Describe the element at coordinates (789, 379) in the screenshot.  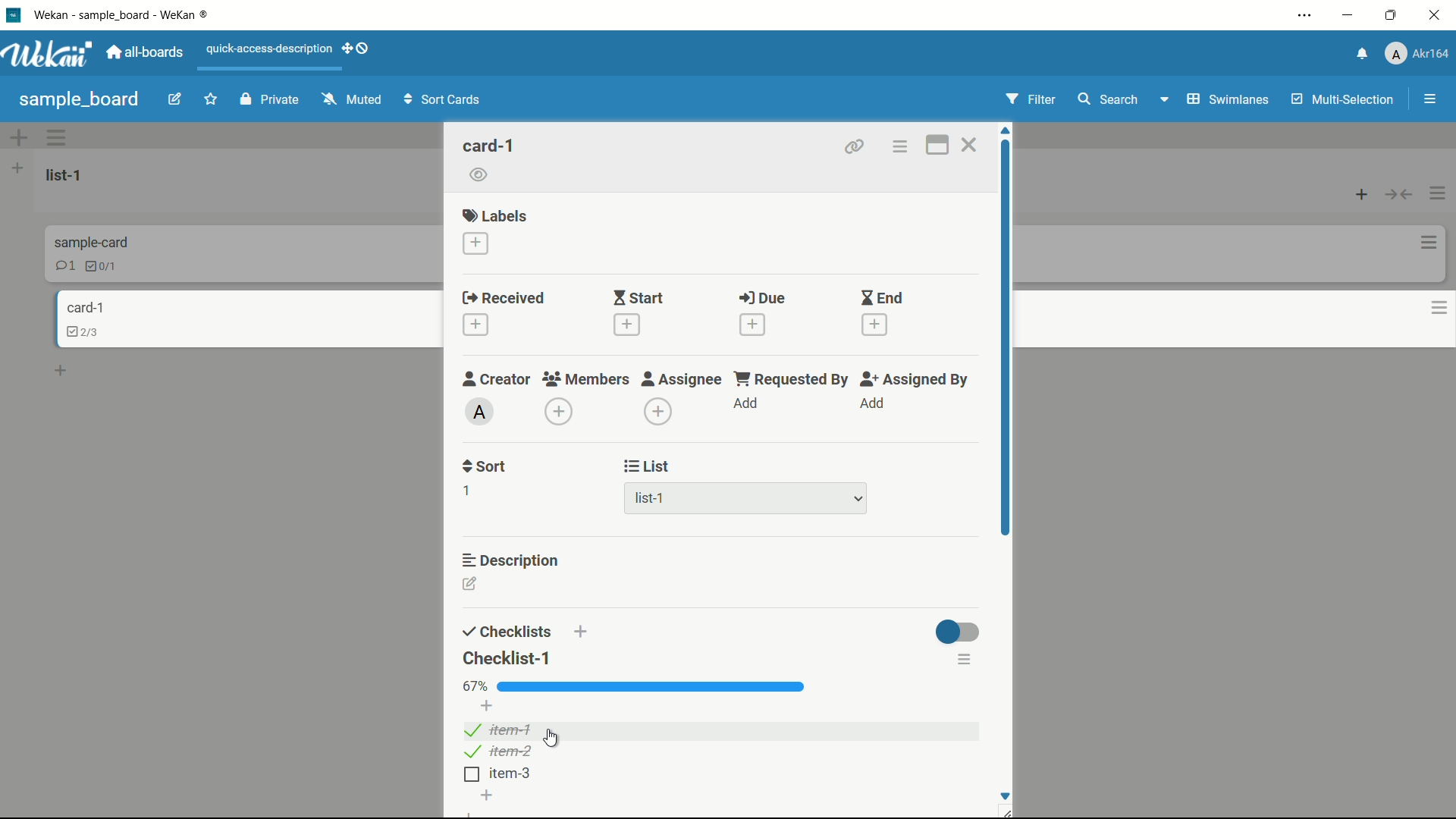
I see `requested by` at that location.